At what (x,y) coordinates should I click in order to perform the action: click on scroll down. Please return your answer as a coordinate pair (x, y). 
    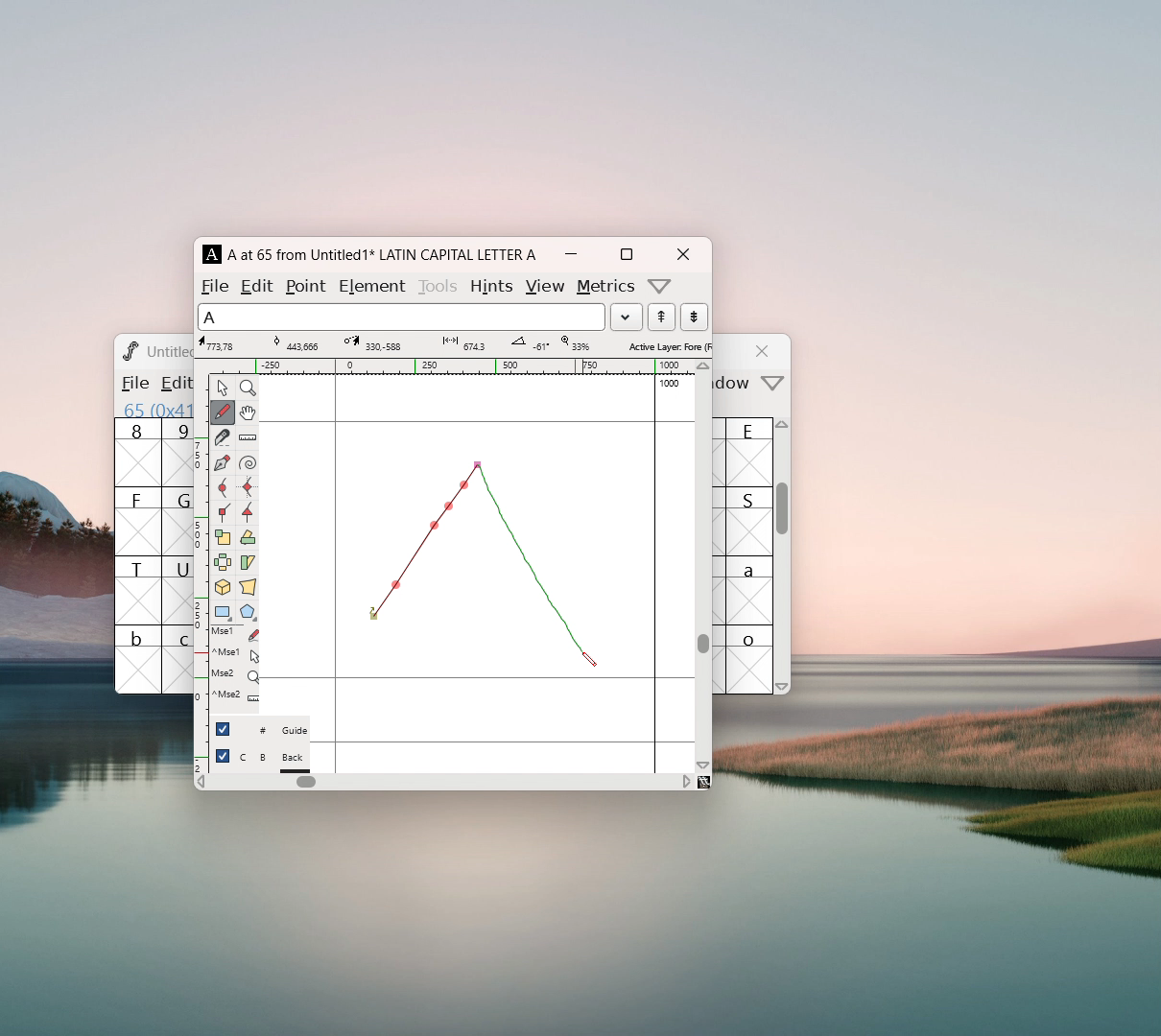
    Looking at the image, I should click on (783, 686).